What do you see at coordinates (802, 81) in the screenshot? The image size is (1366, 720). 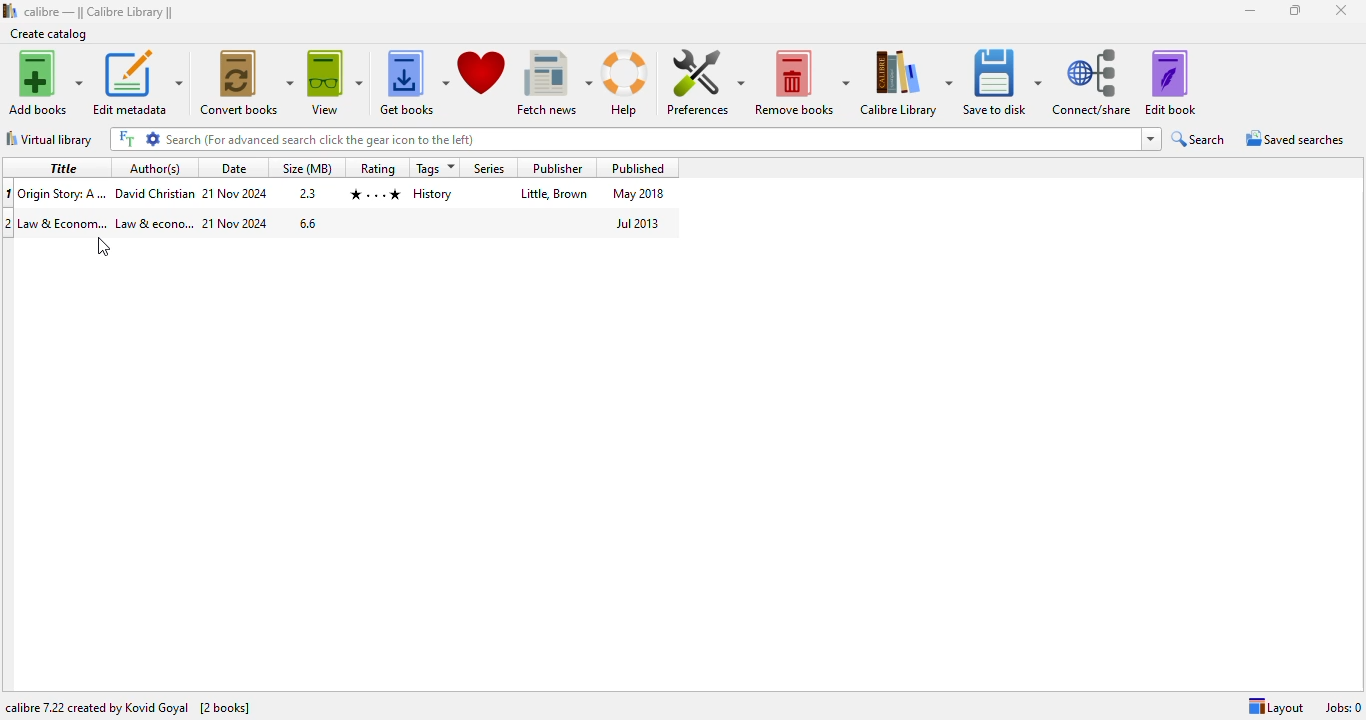 I see `remove books` at bounding box center [802, 81].